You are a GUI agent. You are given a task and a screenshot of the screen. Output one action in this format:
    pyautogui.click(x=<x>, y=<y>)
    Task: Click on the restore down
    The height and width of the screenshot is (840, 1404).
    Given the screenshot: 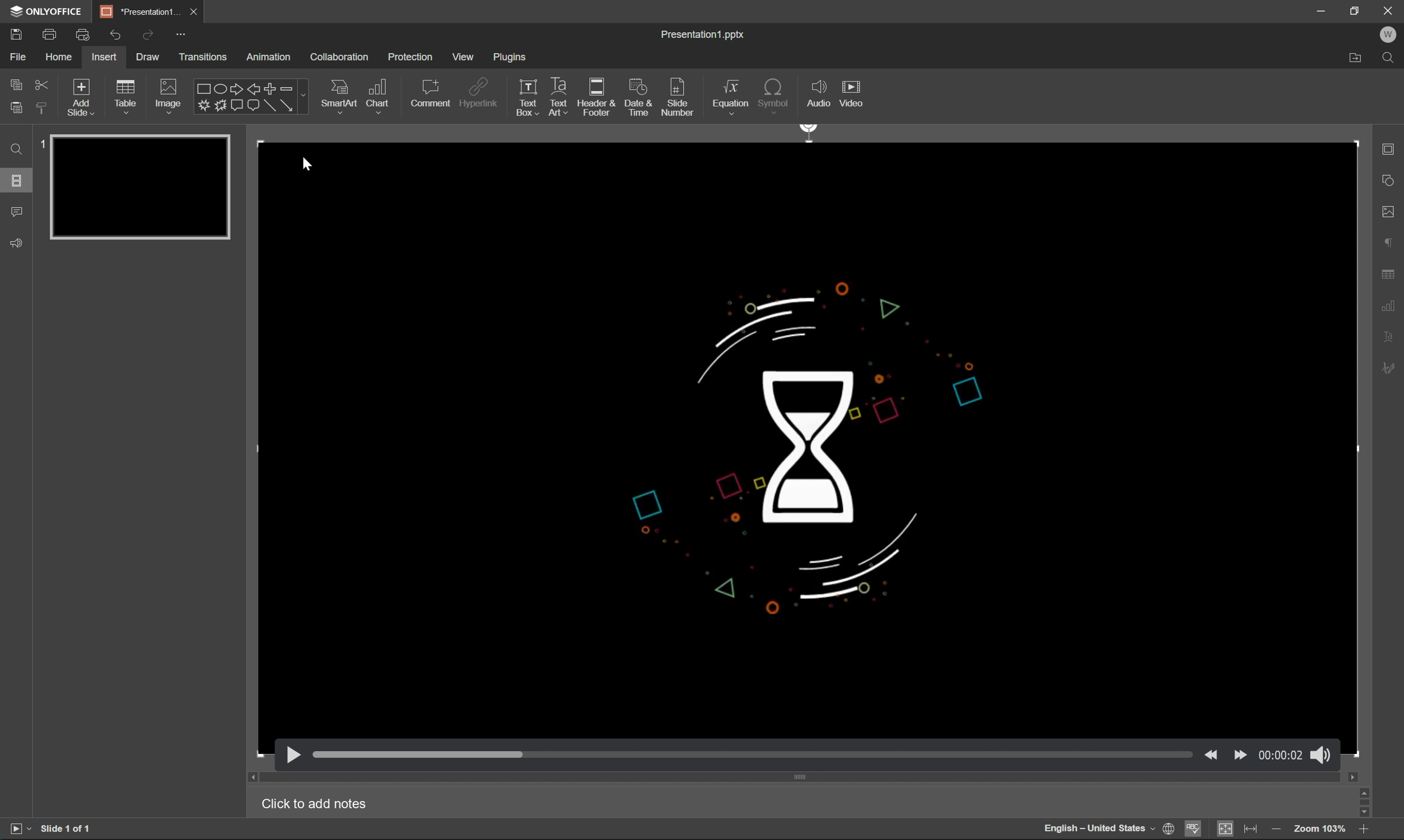 What is the action you would take?
    pyautogui.click(x=1355, y=8)
    